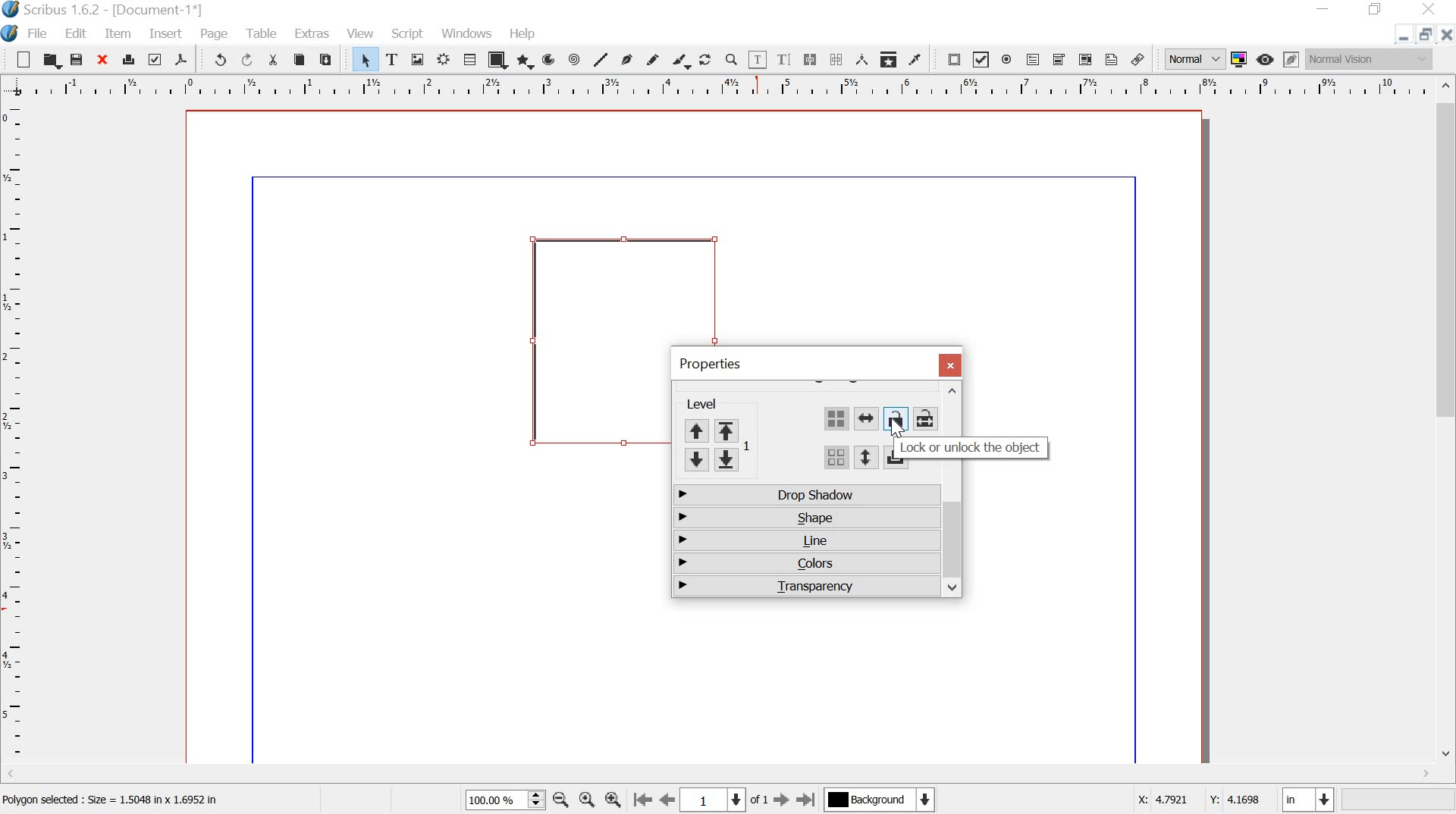 The width and height of the screenshot is (1456, 814). I want to click on restore down, so click(1425, 34).